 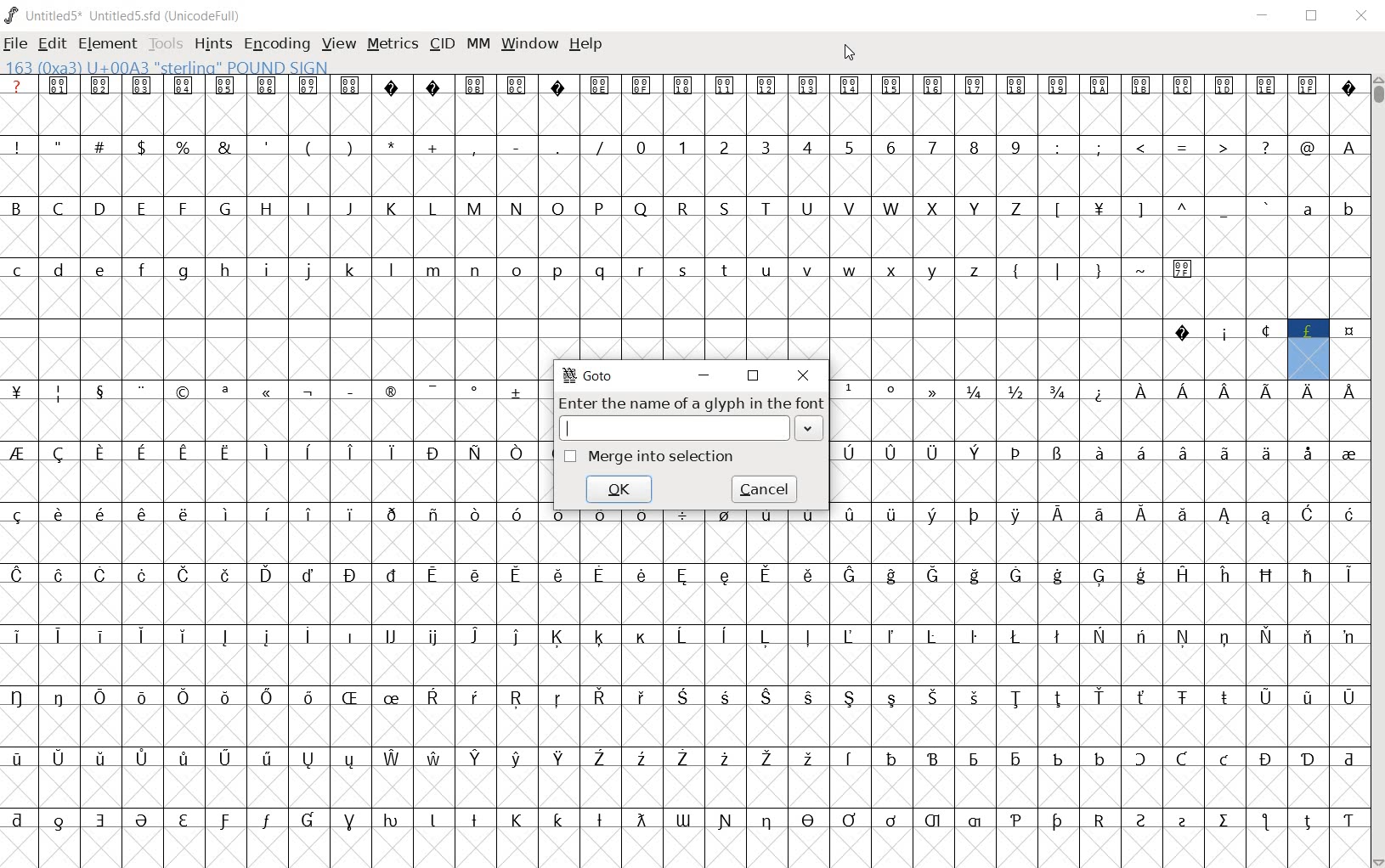 I want to click on CURSOR, so click(x=850, y=54).